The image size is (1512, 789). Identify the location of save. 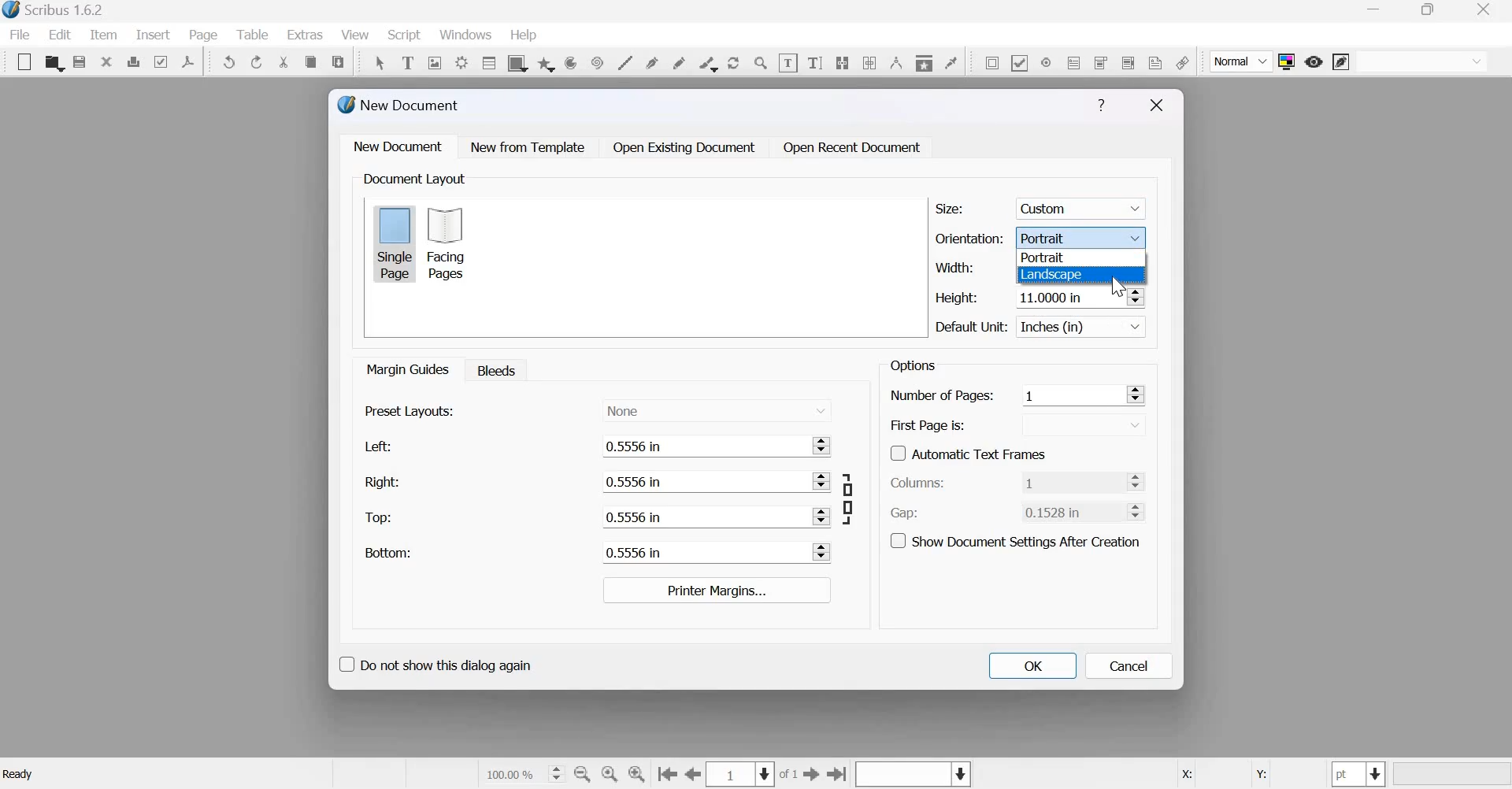
(80, 62).